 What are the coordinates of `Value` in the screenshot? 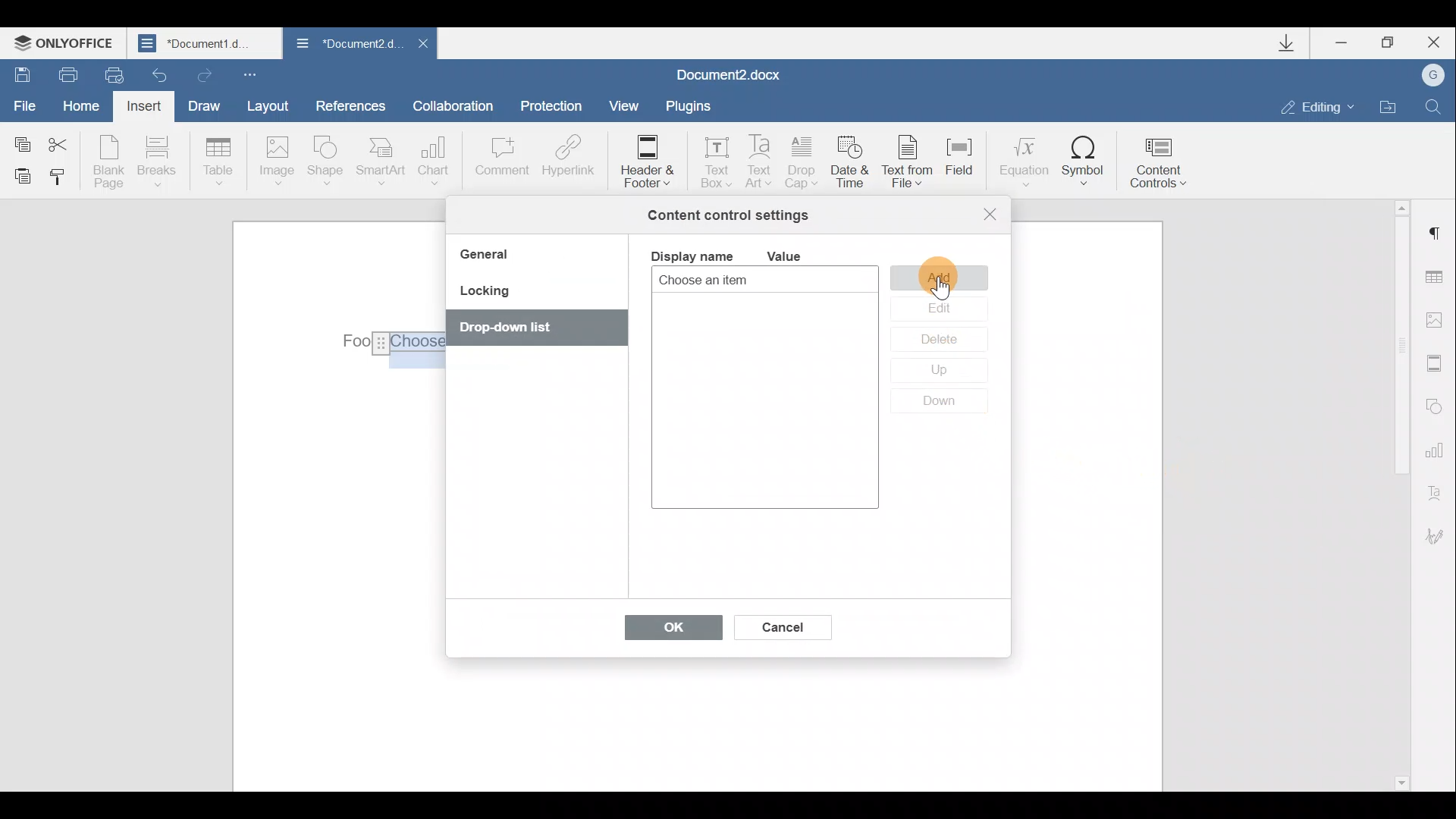 It's located at (796, 256).